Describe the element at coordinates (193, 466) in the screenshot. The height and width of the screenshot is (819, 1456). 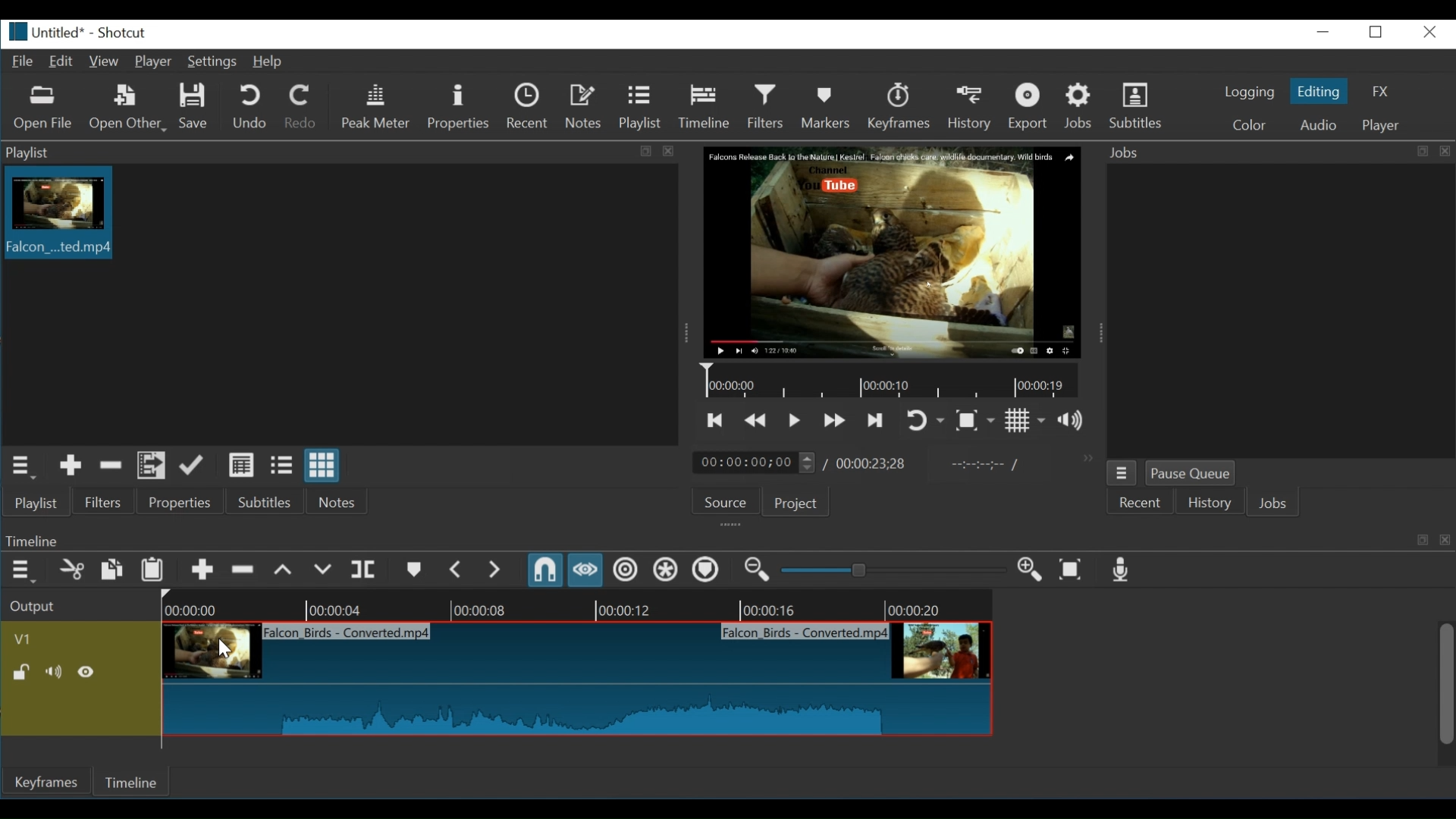
I see `Update` at that location.